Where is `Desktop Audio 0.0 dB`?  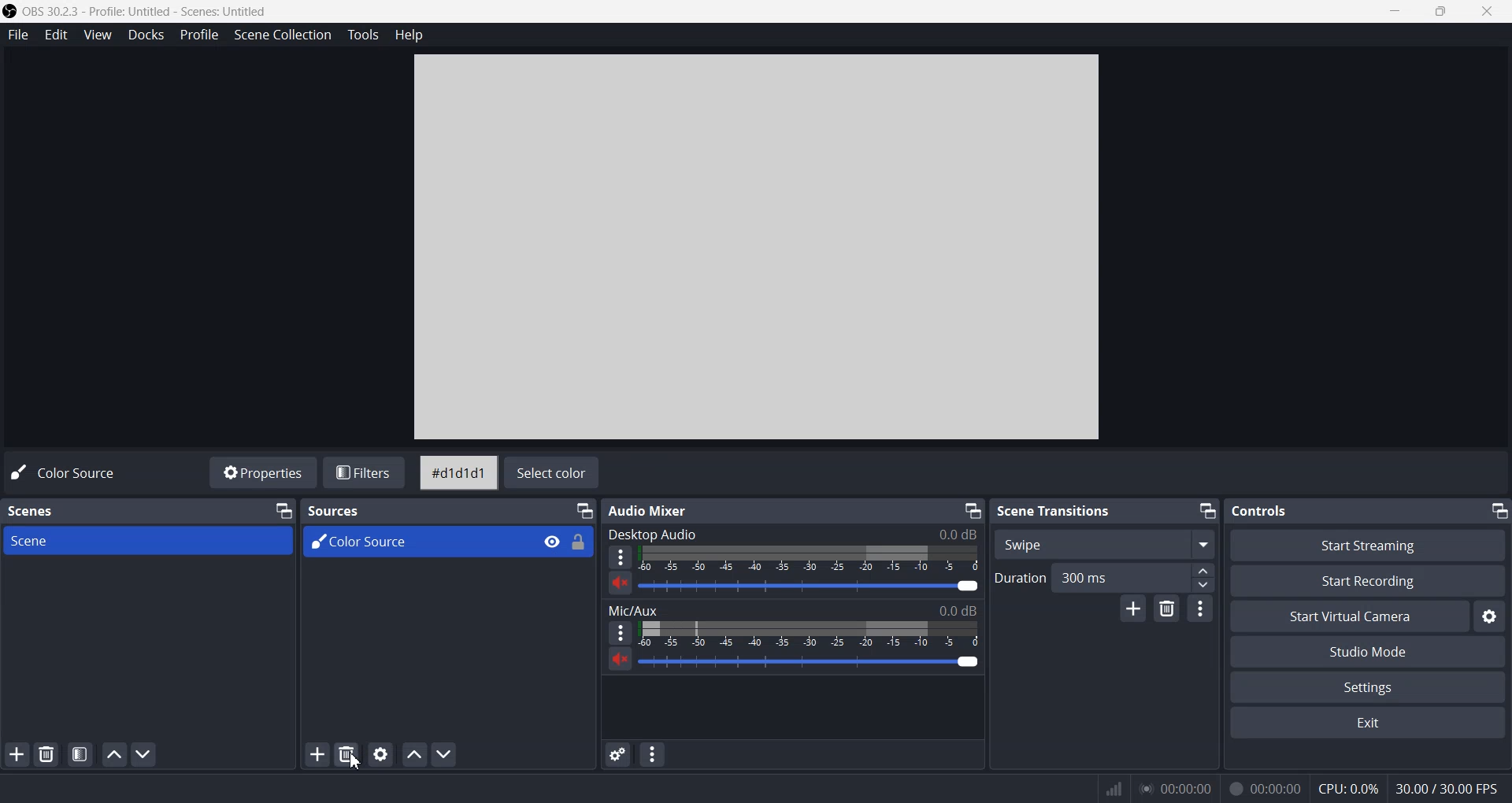
Desktop Audio 0.0 dB is located at coordinates (791, 534).